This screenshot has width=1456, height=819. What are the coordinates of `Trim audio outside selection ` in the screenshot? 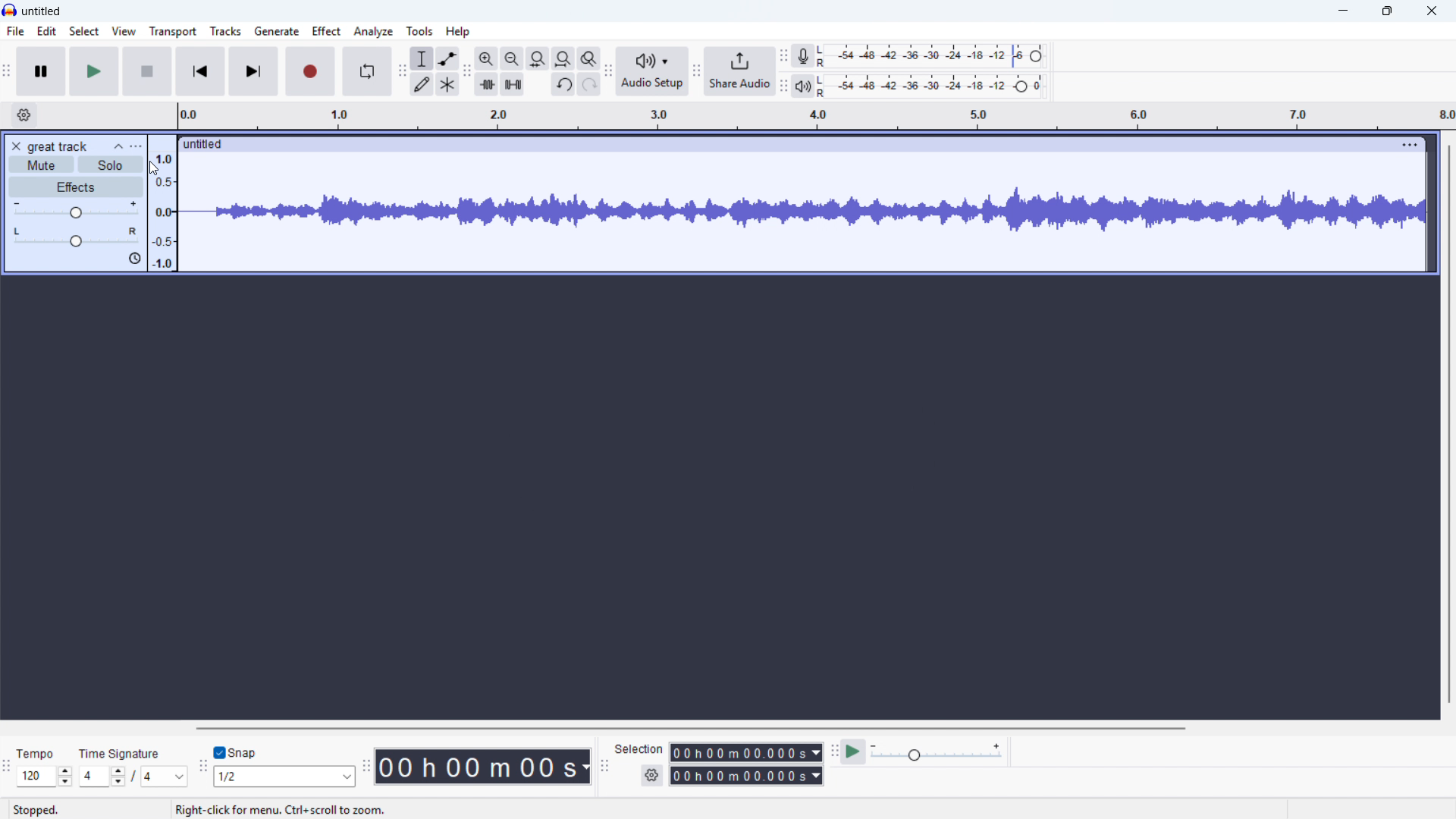 It's located at (487, 83).